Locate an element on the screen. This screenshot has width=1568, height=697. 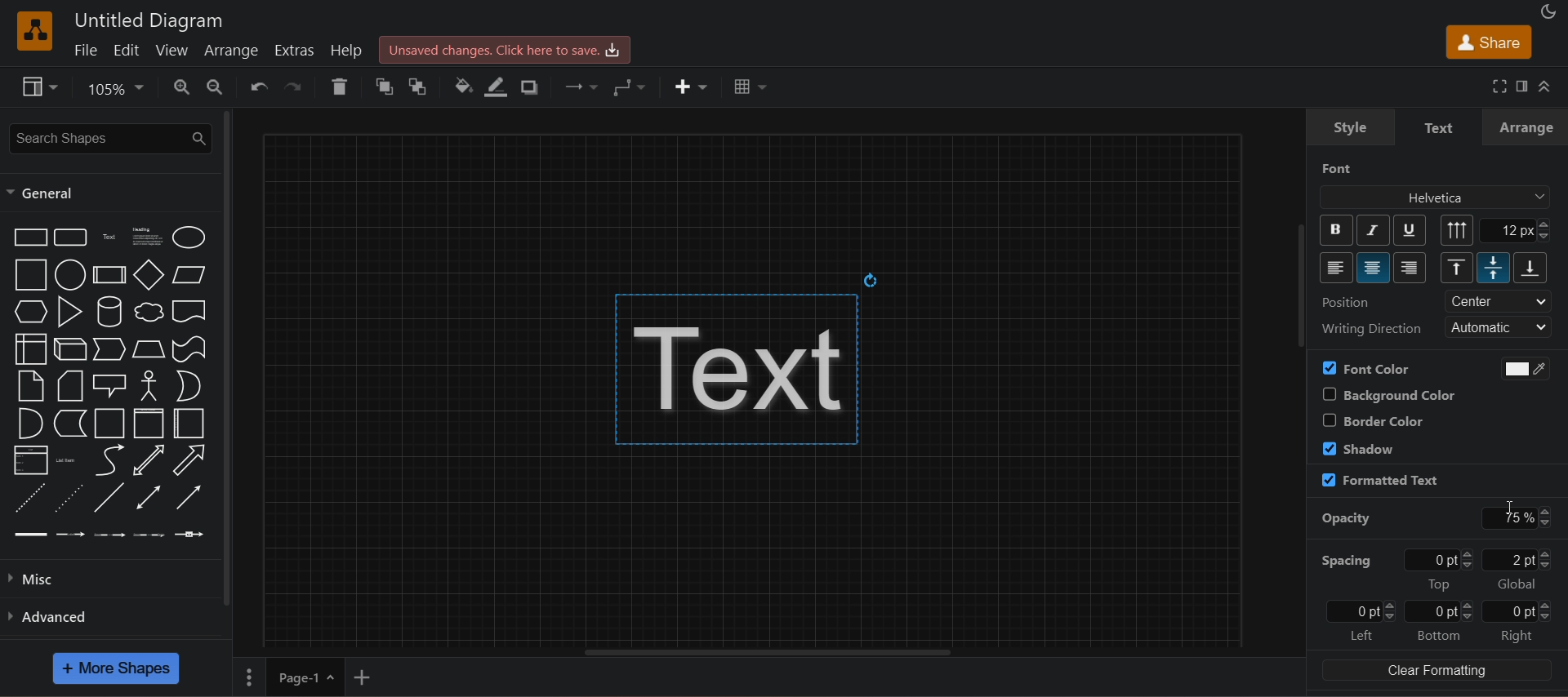
center is located at coordinates (1374, 268).